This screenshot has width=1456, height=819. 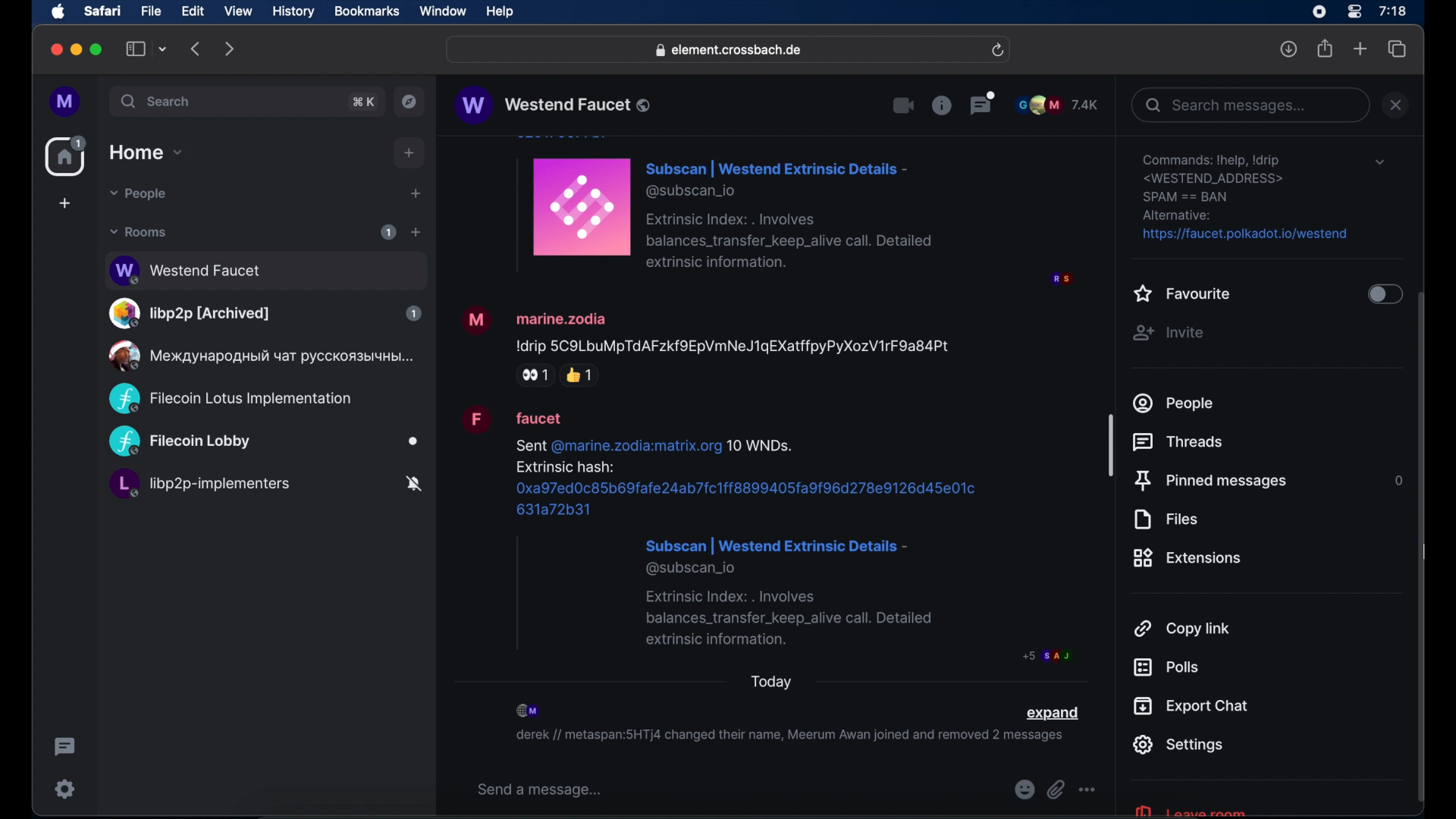 I want to click on downloads, so click(x=1289, y=49).